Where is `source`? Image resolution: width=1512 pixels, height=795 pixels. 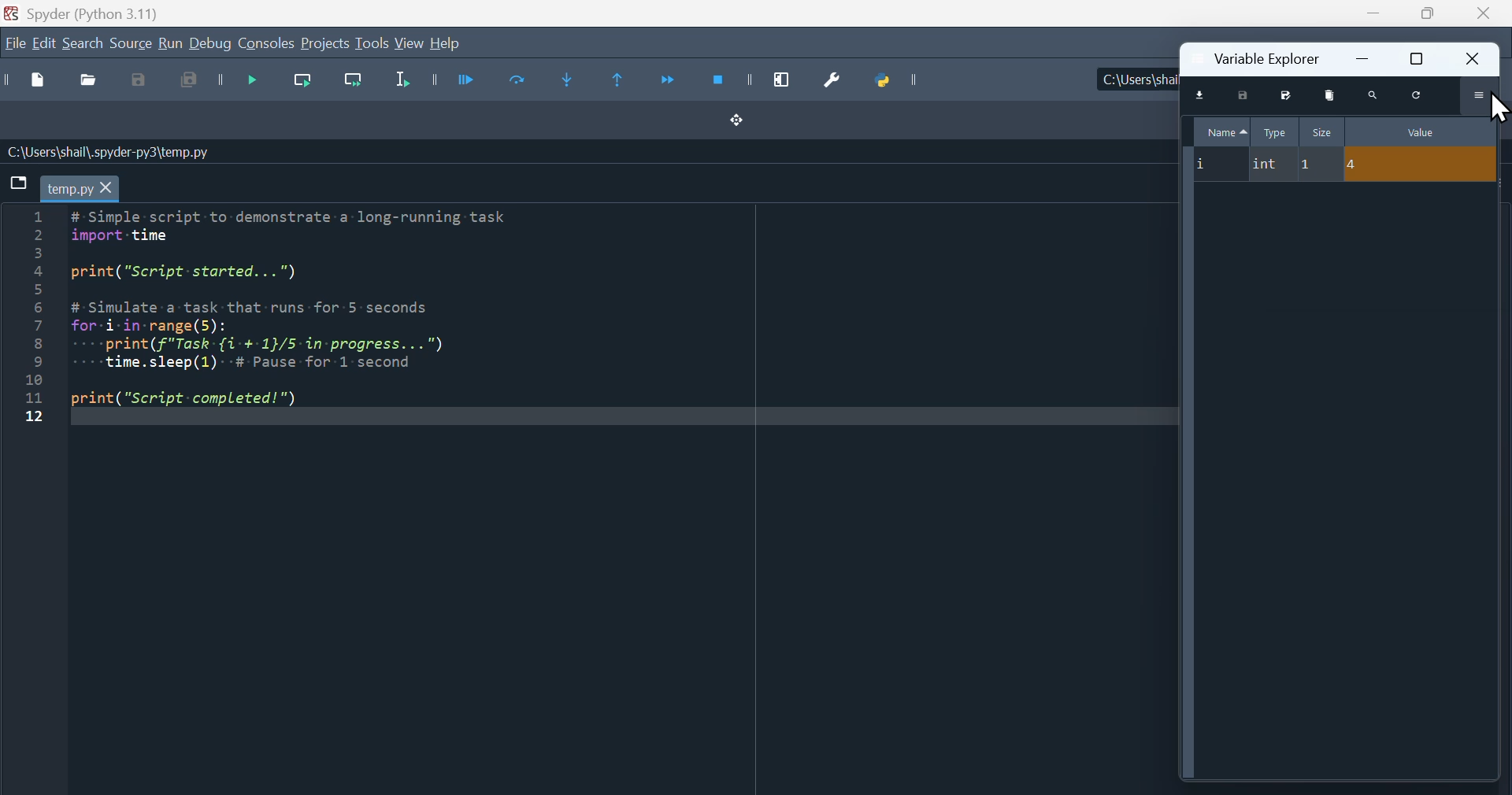 source is located at coordinates (131, 45).